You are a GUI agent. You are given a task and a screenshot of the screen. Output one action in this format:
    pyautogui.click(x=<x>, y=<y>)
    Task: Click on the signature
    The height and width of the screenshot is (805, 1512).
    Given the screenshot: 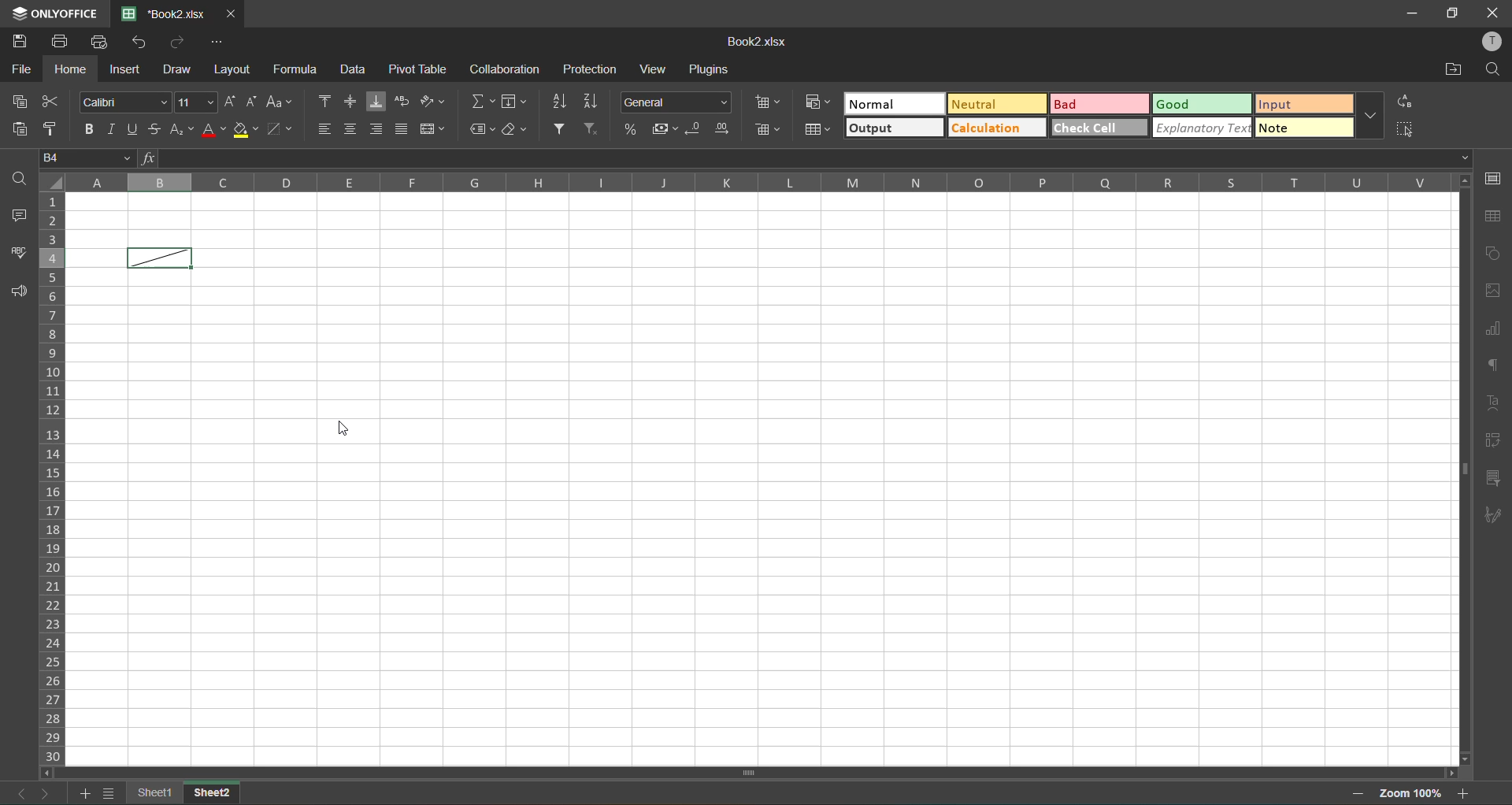 What is the action you would take?
    pyautogui.click(x=1493, y=517)
    